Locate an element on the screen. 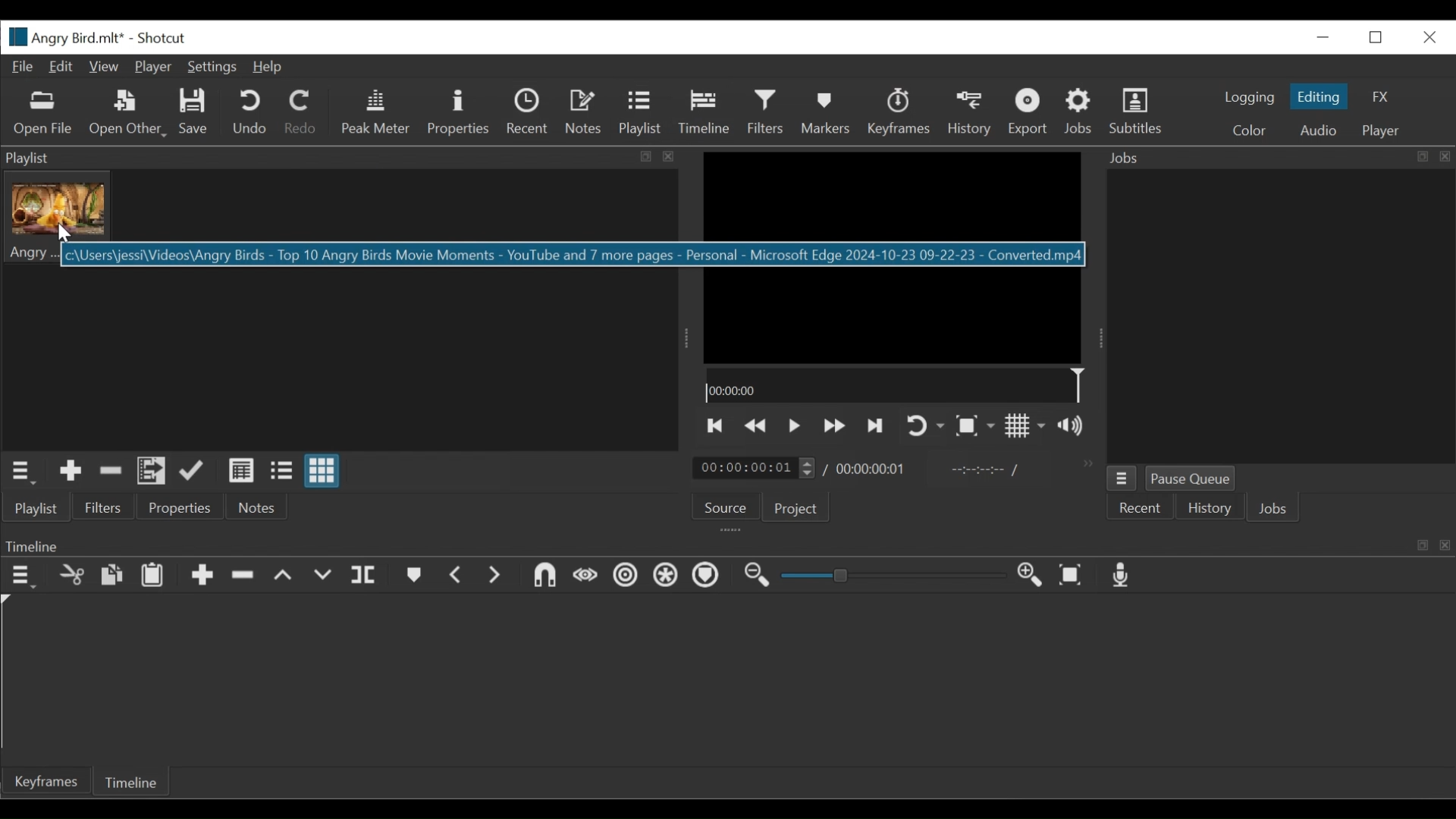 This screenshot has height=819, width=1456. Color is located at coordinates (1250, 129).